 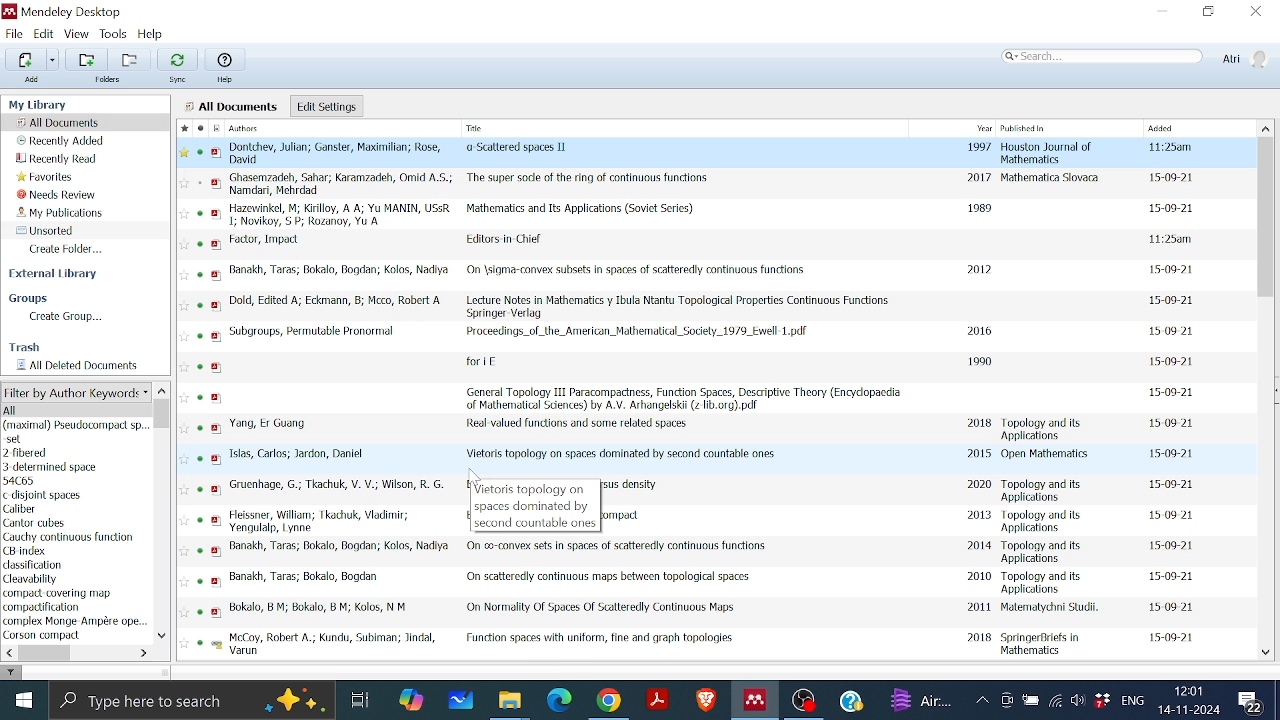 What do you see at coordinates (61, 231) in the screenshot?
I see `Unsorted` at bounding box center [61, 231].